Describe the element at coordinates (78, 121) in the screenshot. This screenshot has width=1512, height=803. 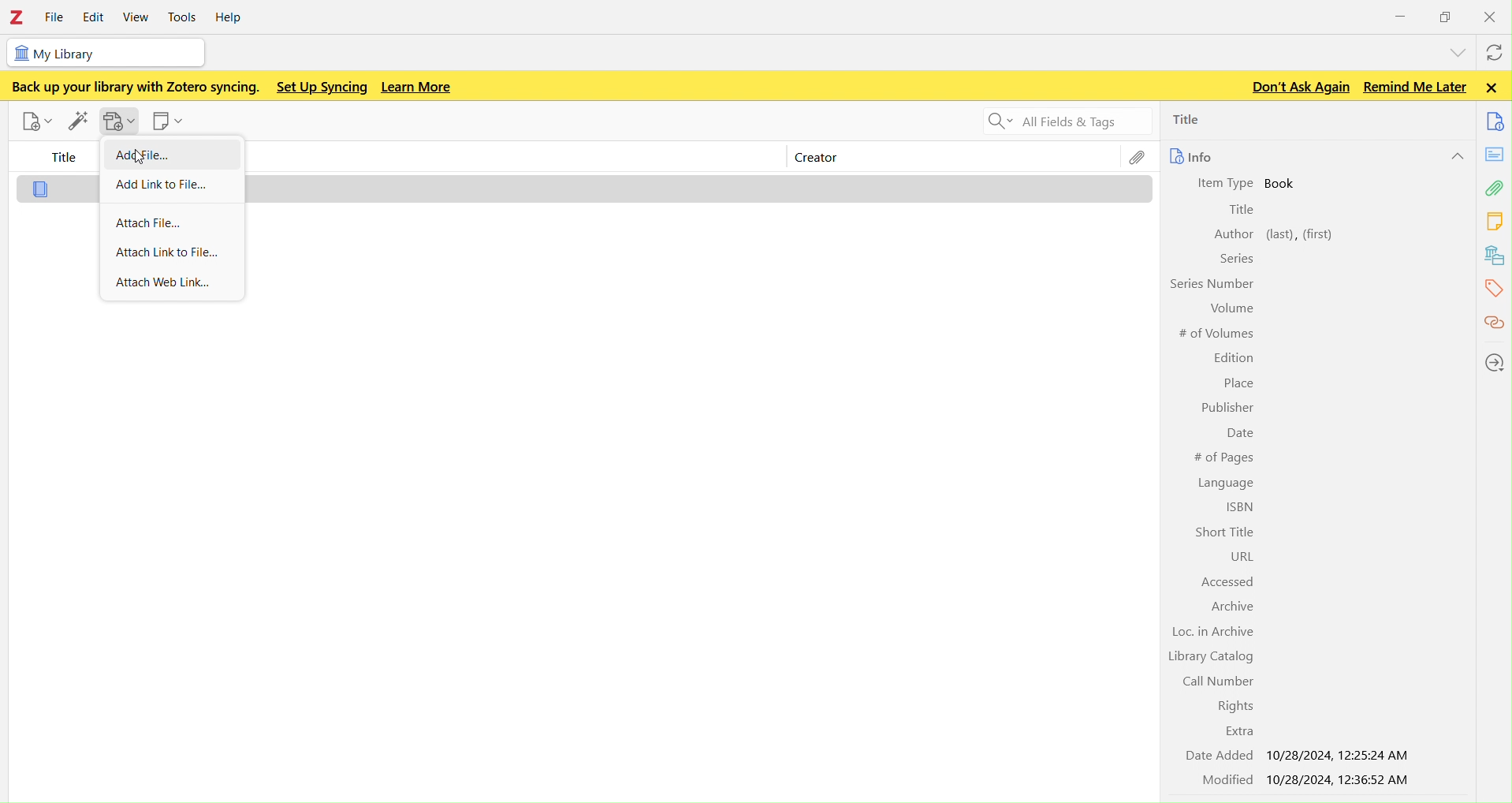
I see `add items` at that location.